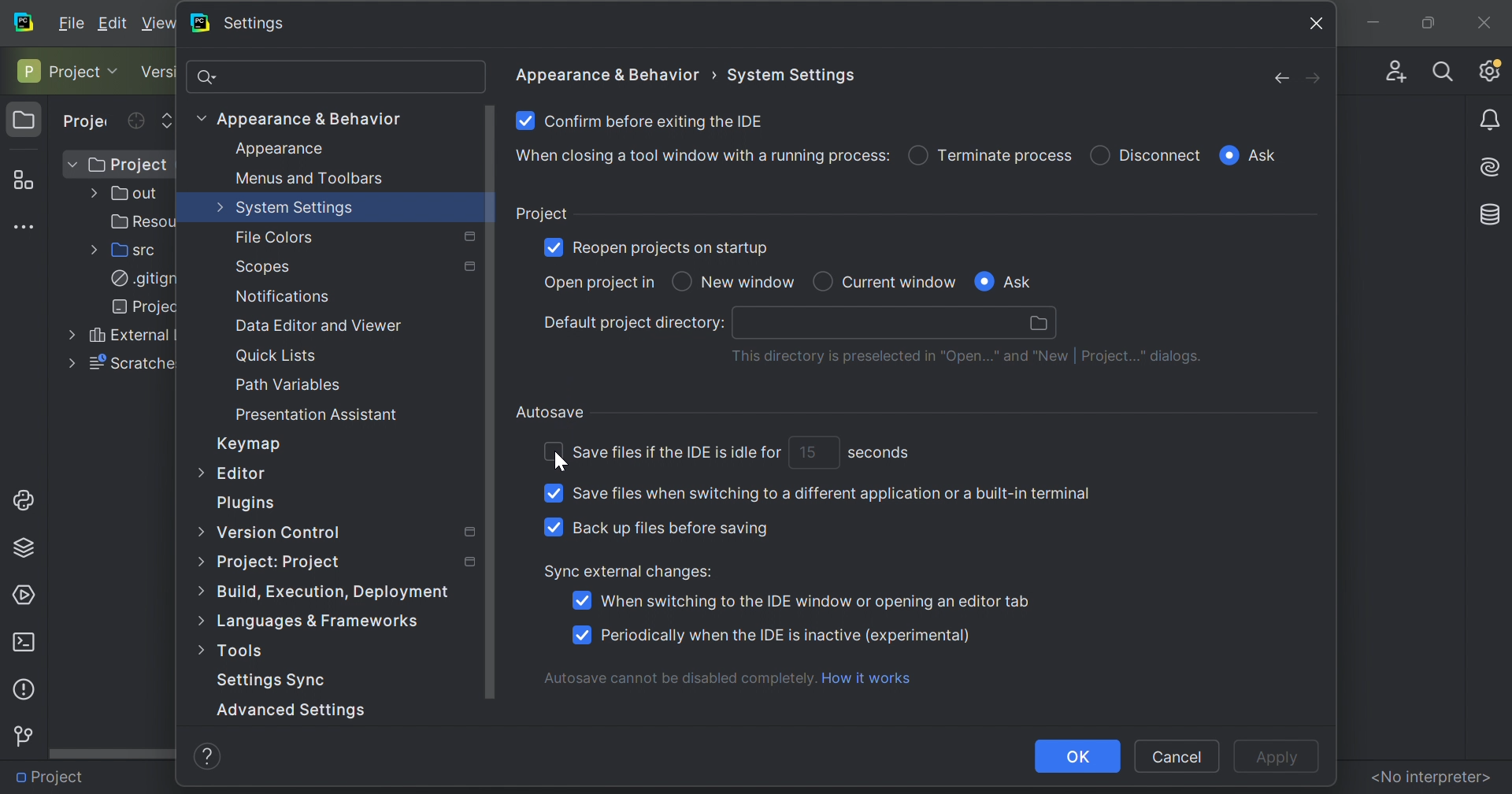 This screenshot has height=794, width=1512. Describe the element at coordinates (656, 120) in the screenshot. I see `Confirm before existing the IDE` at that location.